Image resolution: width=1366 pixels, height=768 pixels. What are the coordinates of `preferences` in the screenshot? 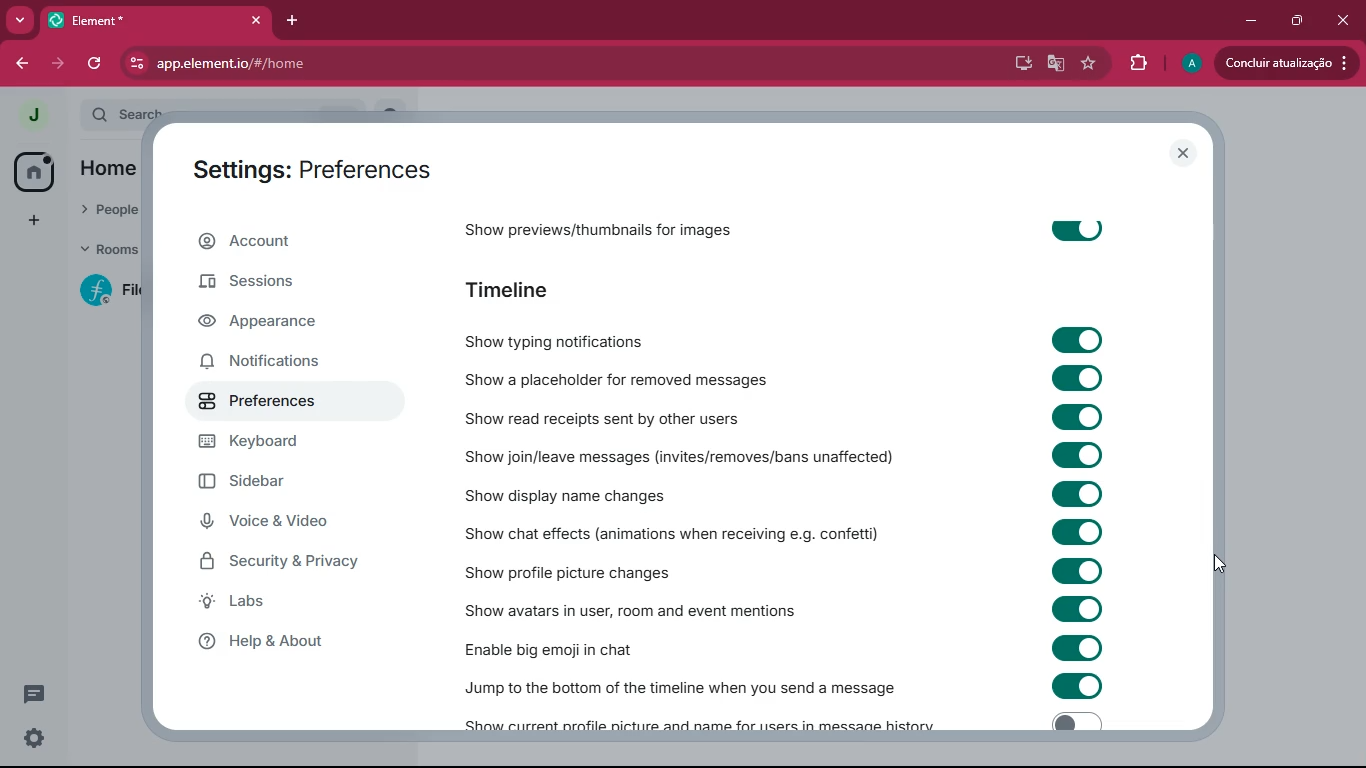 It's located at (262, 403).